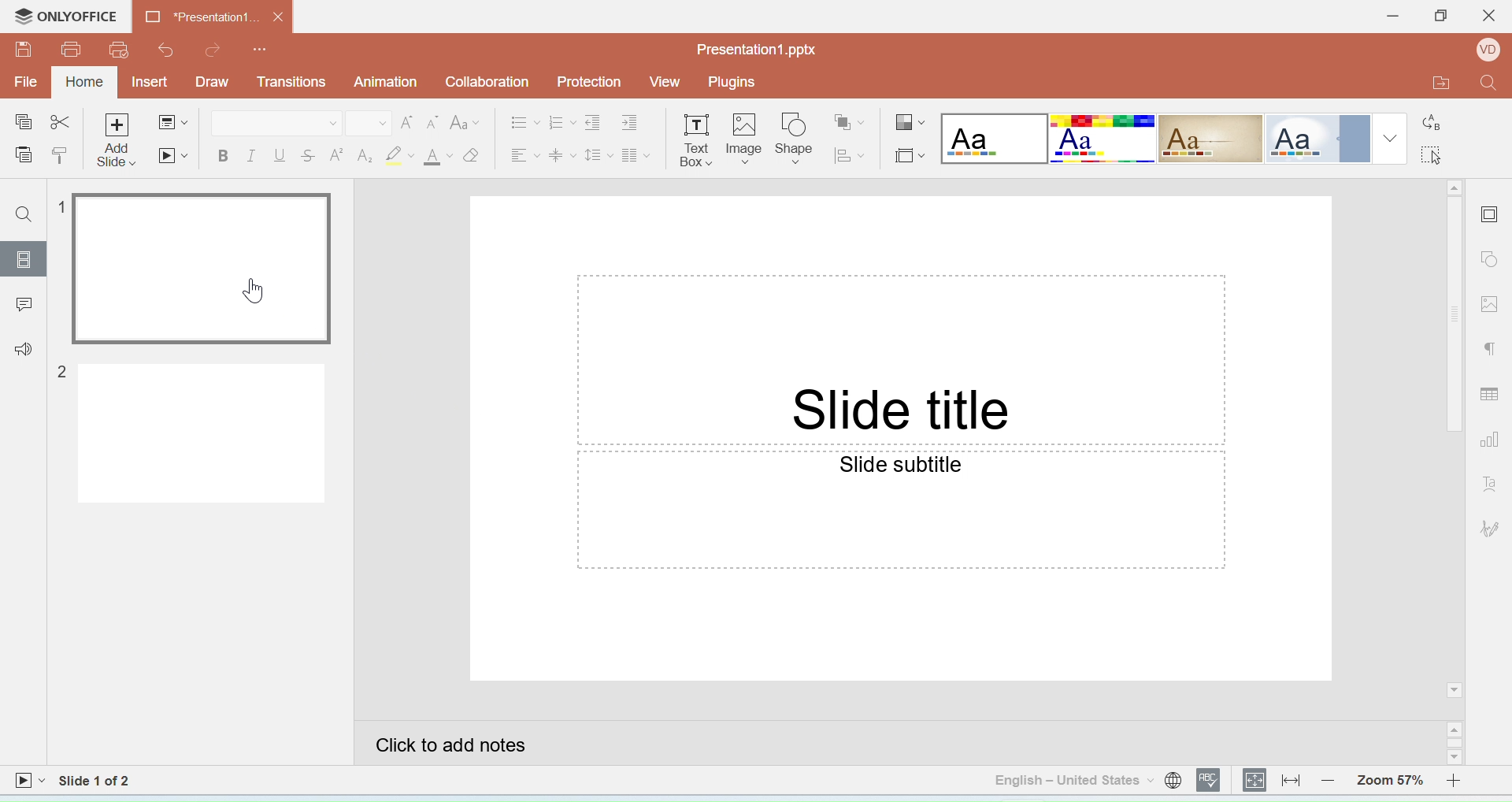  I want to click on File name, so click(758, 50).